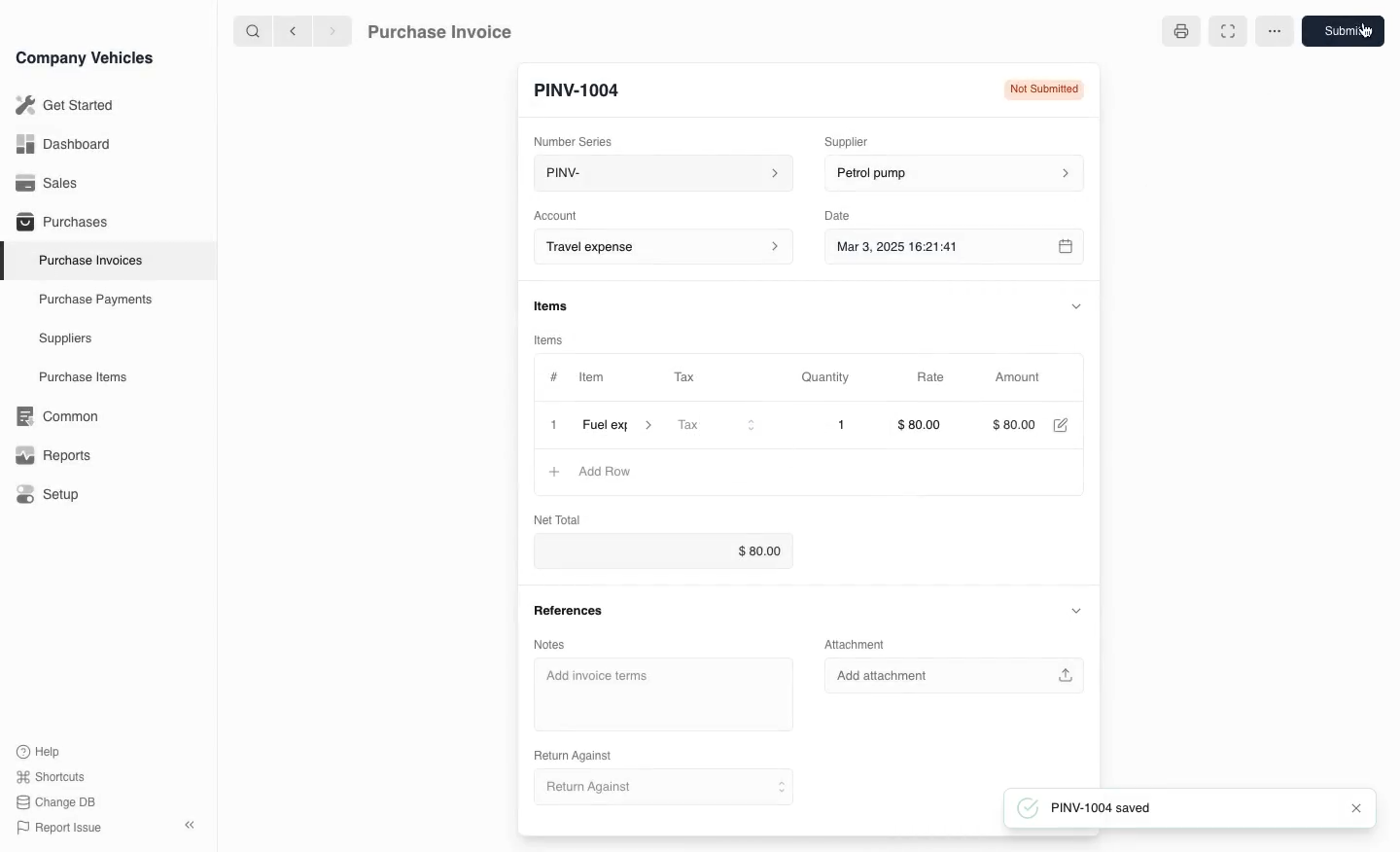 This screenshot has width=1400, height=852. Describe the element at coordinates (589, 473) in the screenshot. I see `Add Row` at that location.